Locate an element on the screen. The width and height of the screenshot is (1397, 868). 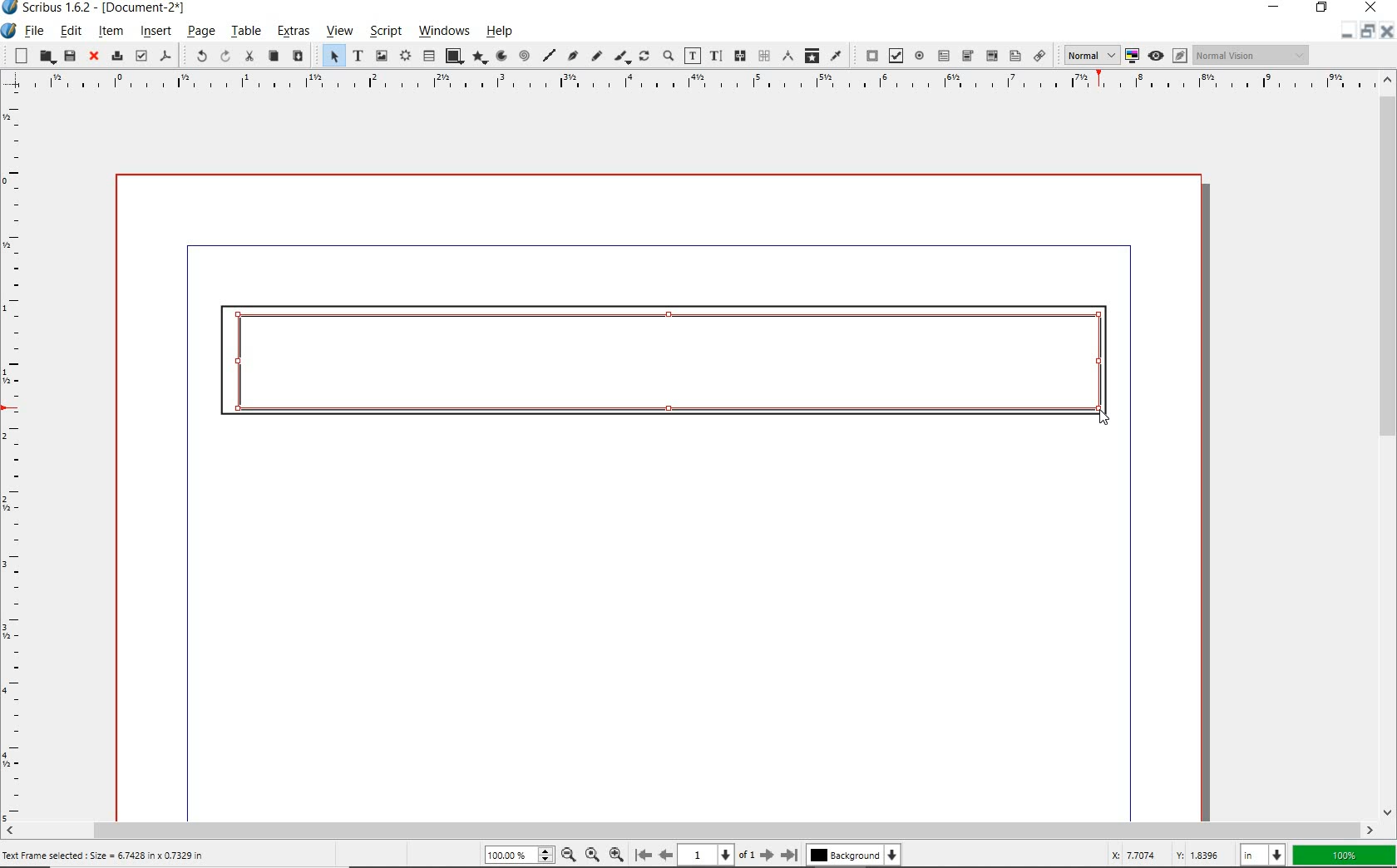
eye dropper is located at coordinates (836, 57).